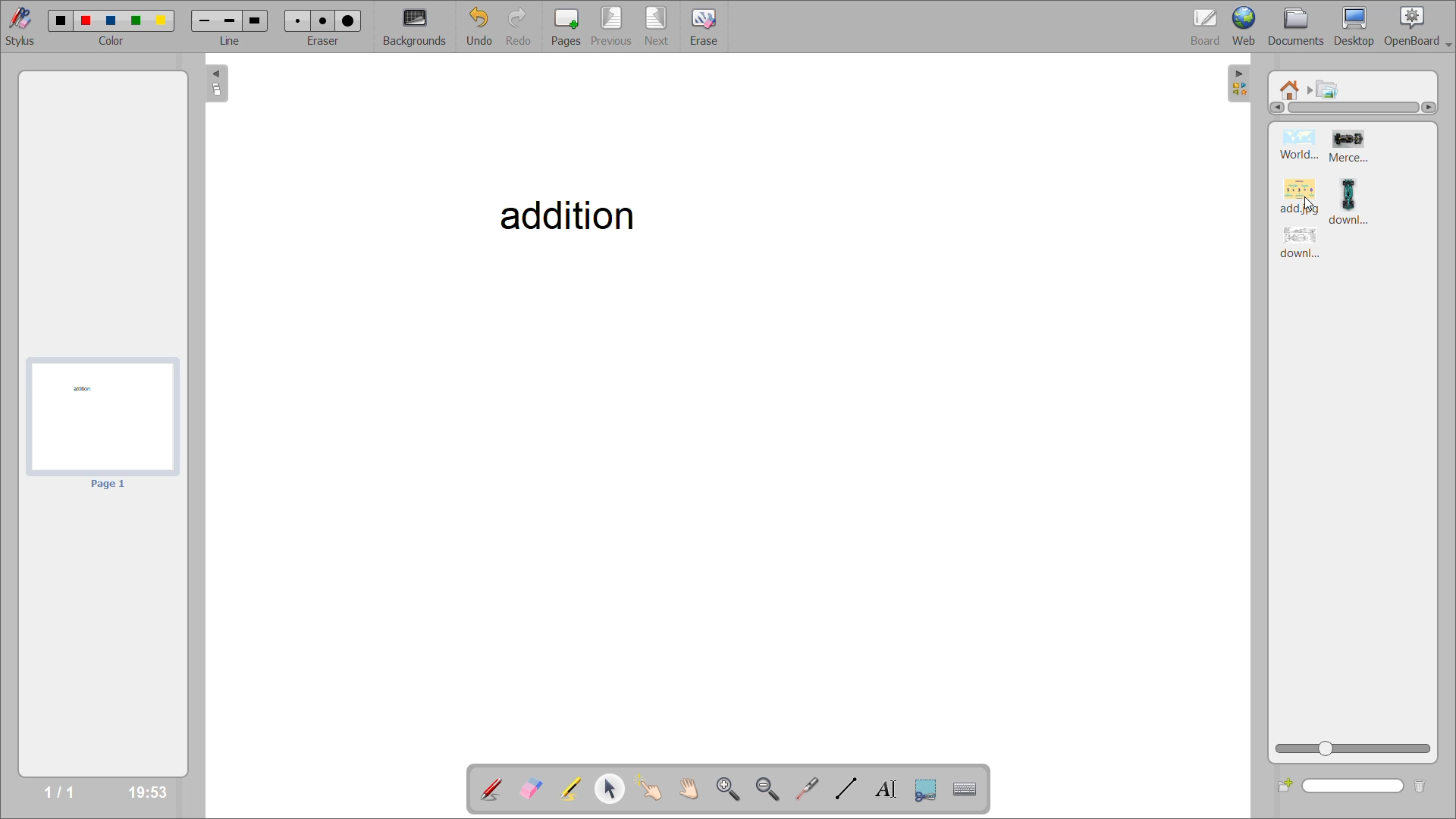 This screenshot has width=1456, height=819. Describe the element at coordinates (806, 789) in the screenshot. I see `virtual laser pointer` at that location.